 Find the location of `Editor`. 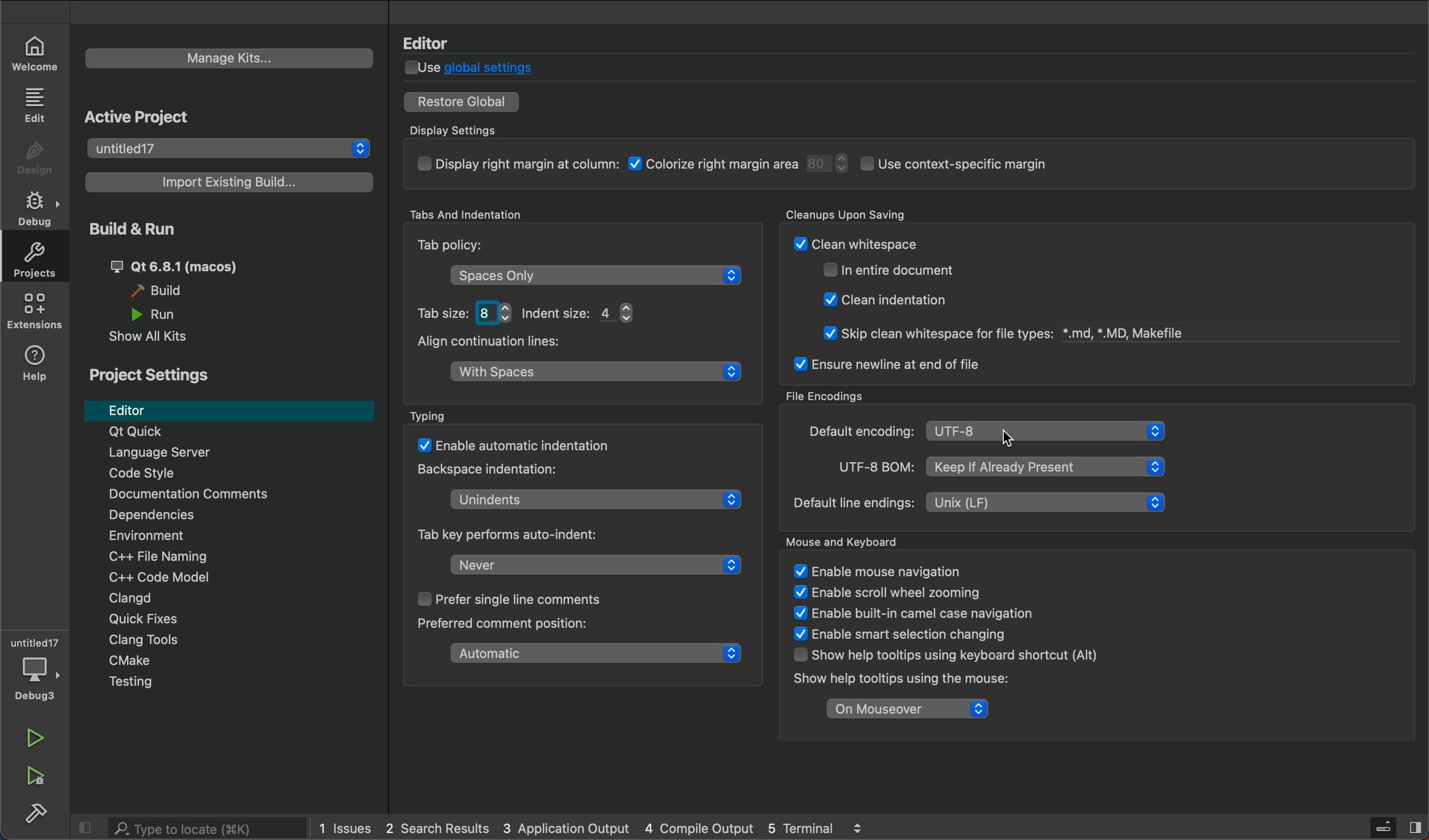

Editor is located at coordinates (434, 39).